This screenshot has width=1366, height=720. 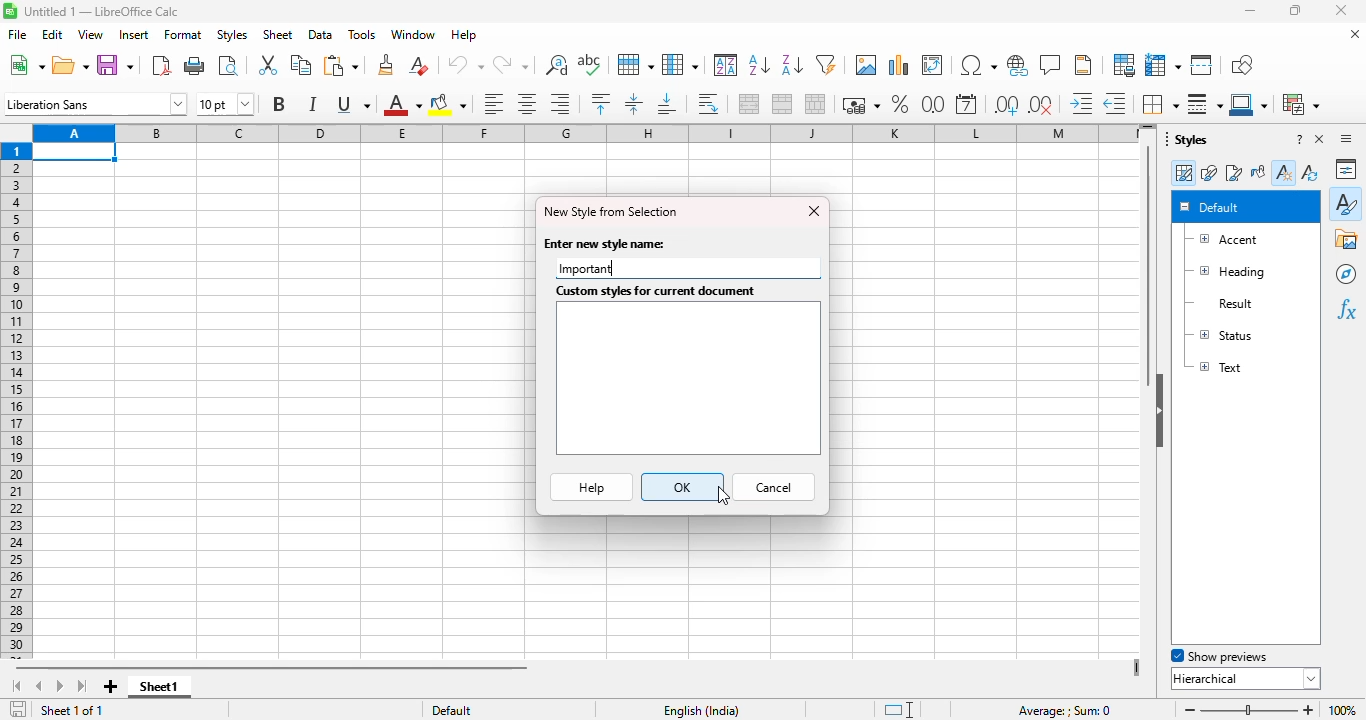 What do you see at coordinates (1018, 65) in the screenshot?
I see `insert hyperlink` at bounding box center [1018, 65].